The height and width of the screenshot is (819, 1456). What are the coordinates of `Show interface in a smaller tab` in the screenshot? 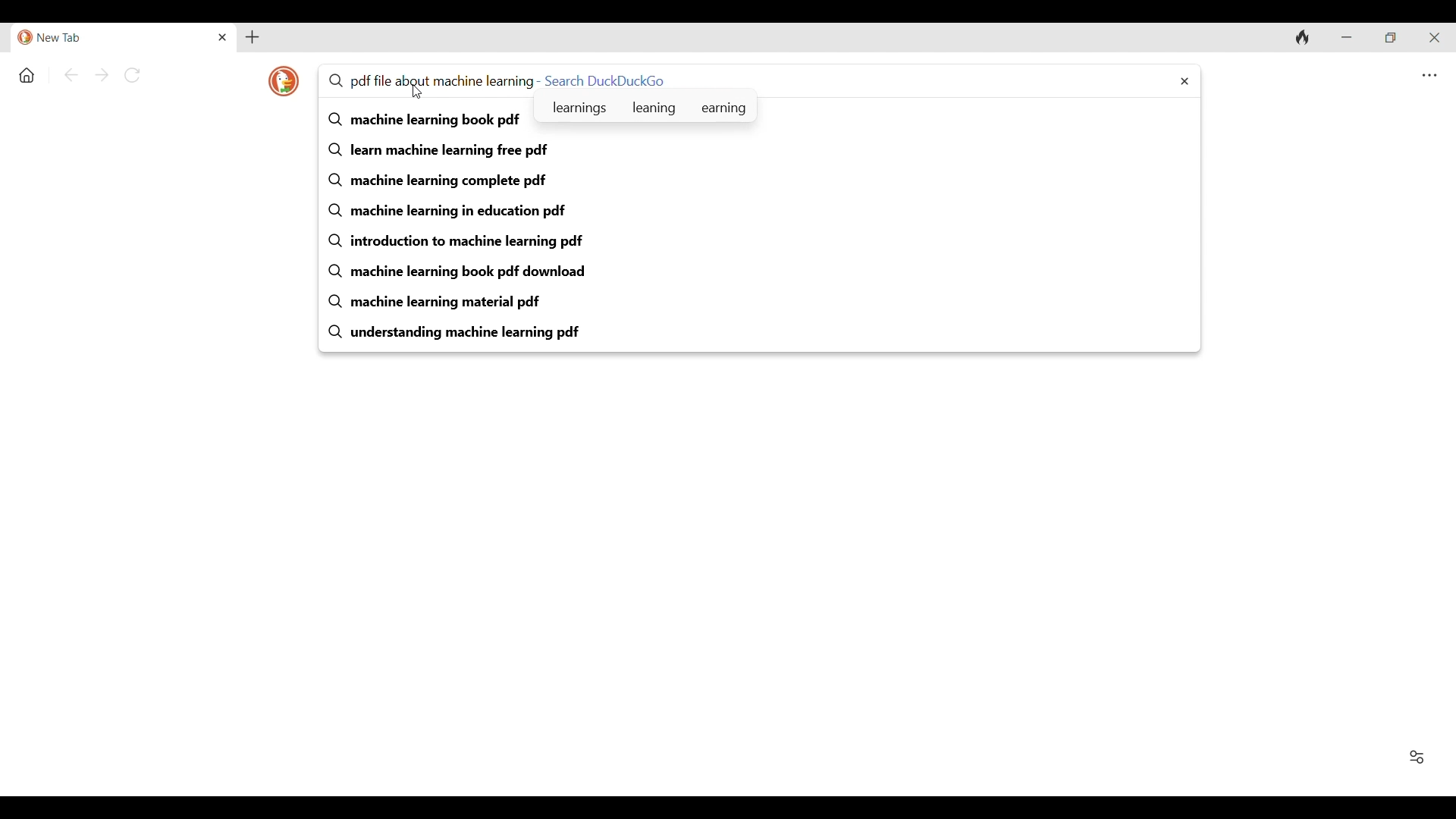 It's located at (1390, 37).